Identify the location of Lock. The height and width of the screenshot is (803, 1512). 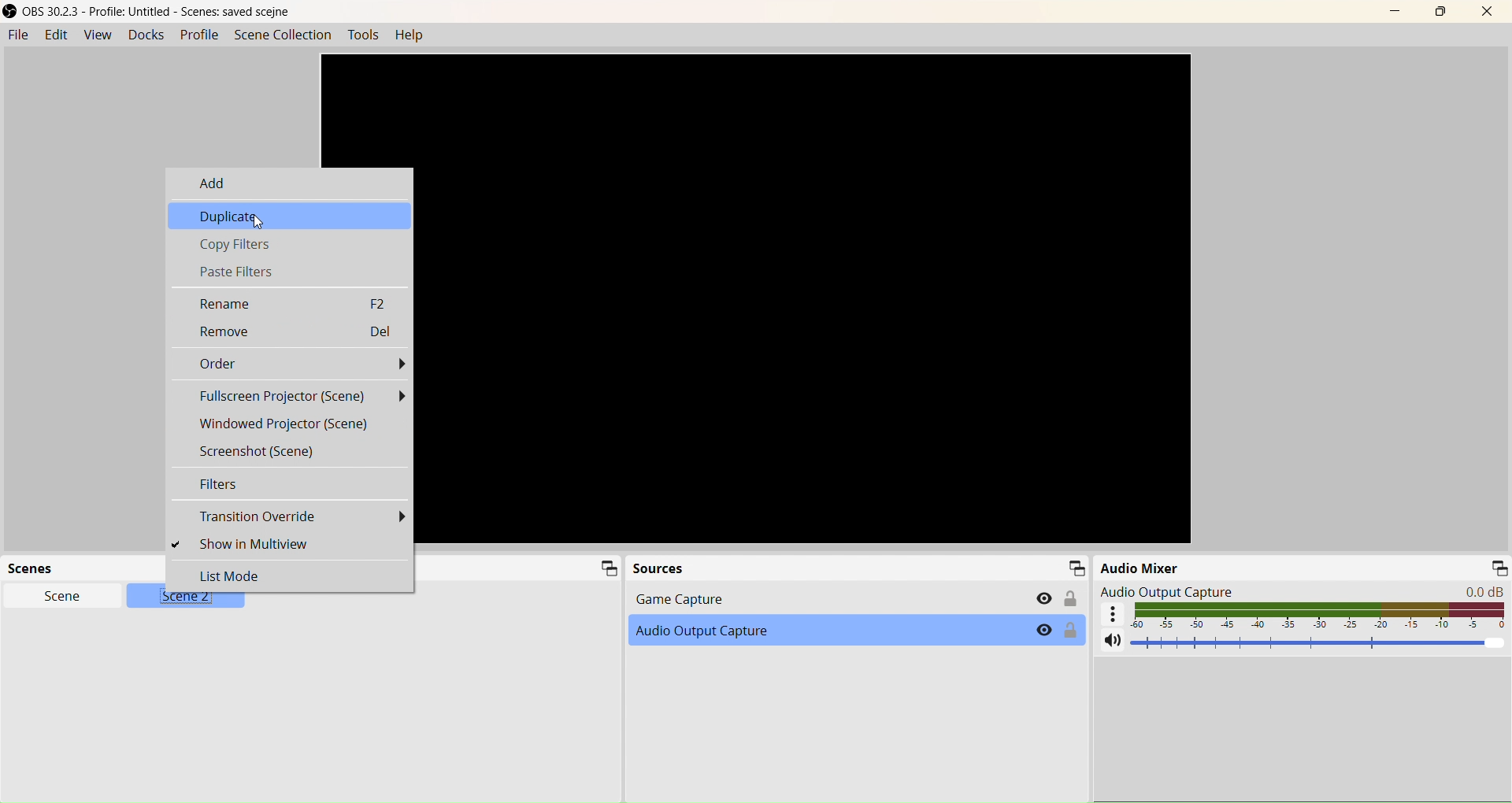
(1071, 629).